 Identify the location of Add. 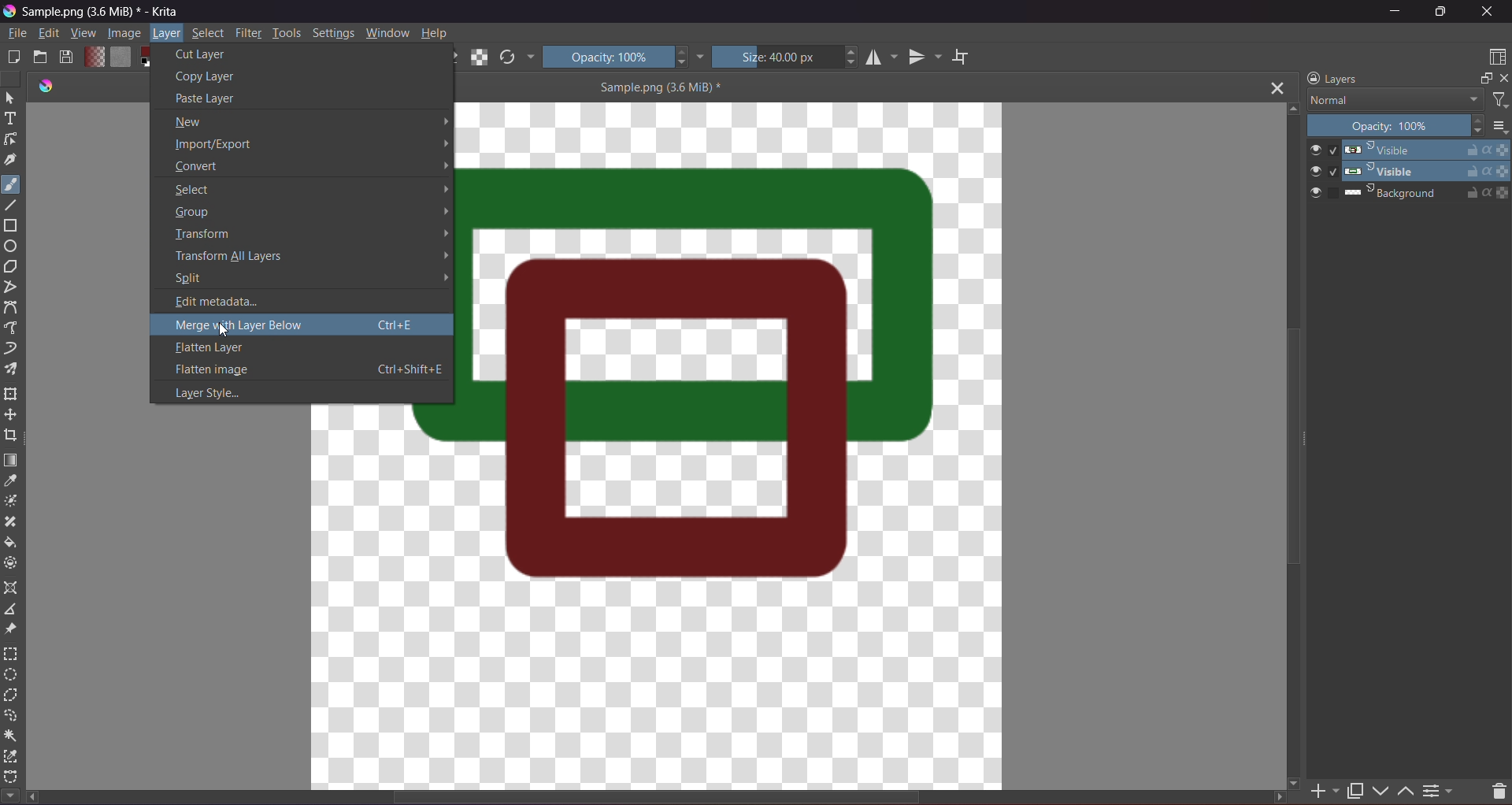
(1326, 787).